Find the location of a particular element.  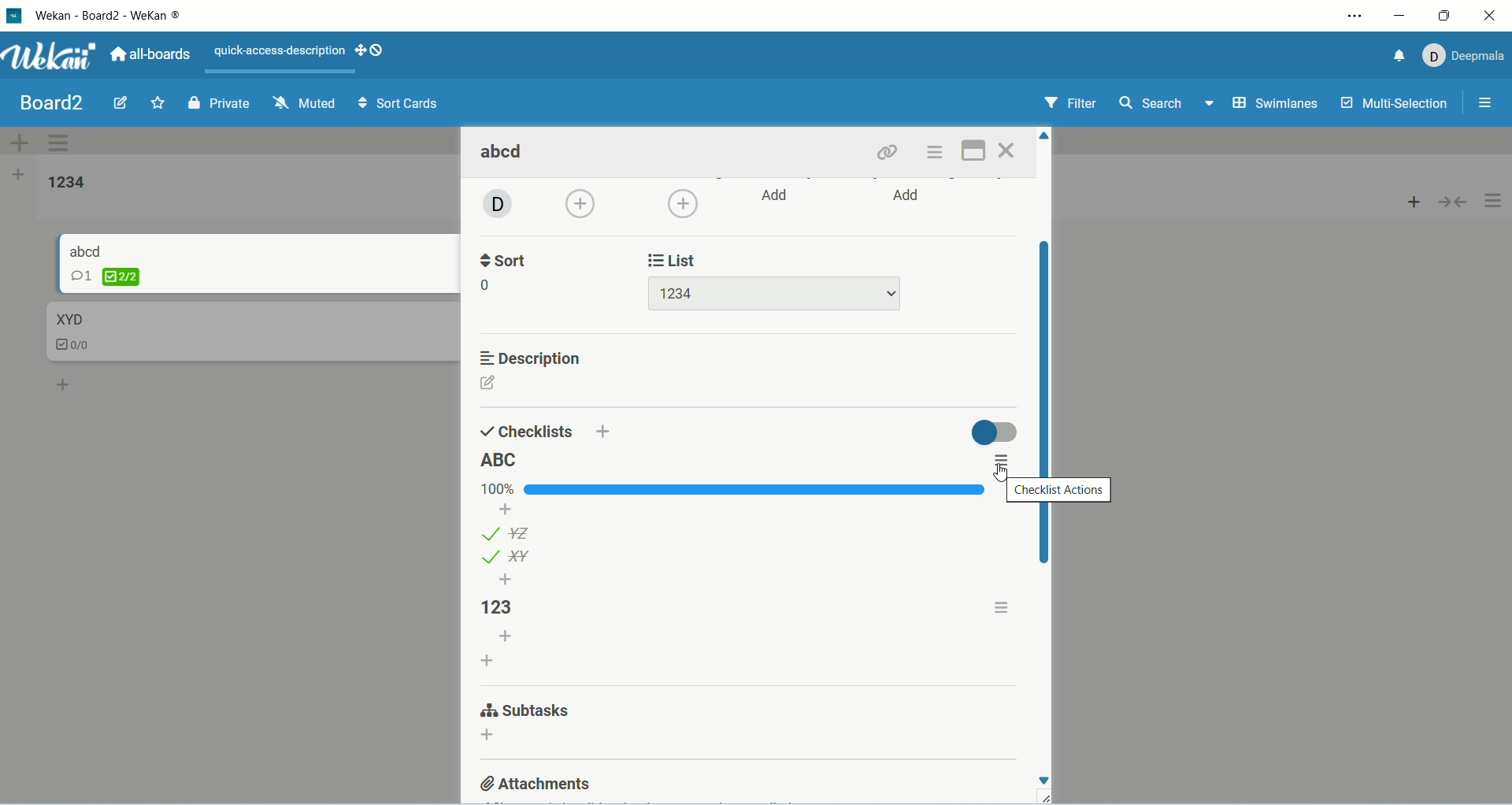

checklists is located at coordinates (527, 430).